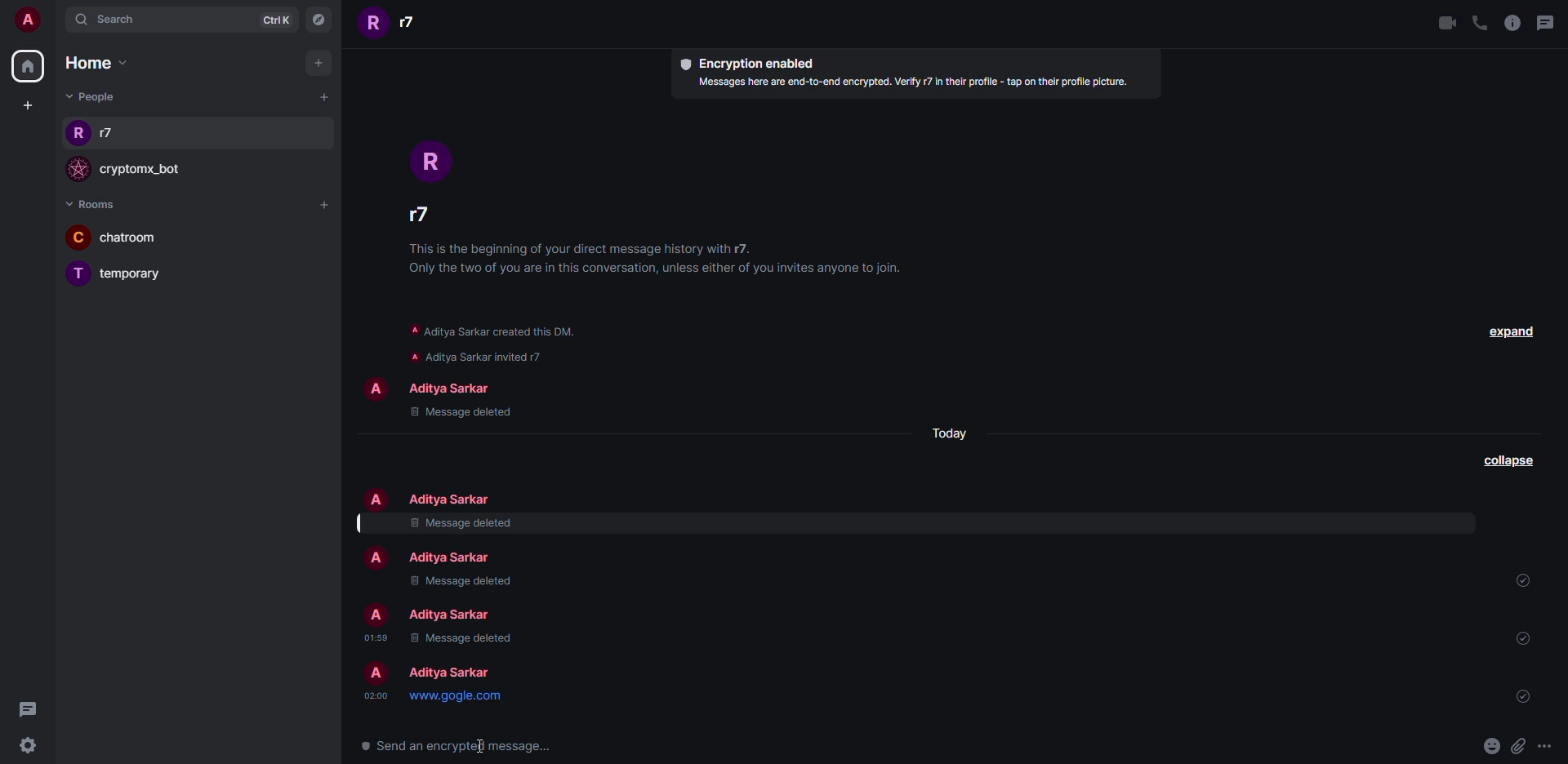 The image size is (1568, 764). I want to click on profile, so click(377, 611).